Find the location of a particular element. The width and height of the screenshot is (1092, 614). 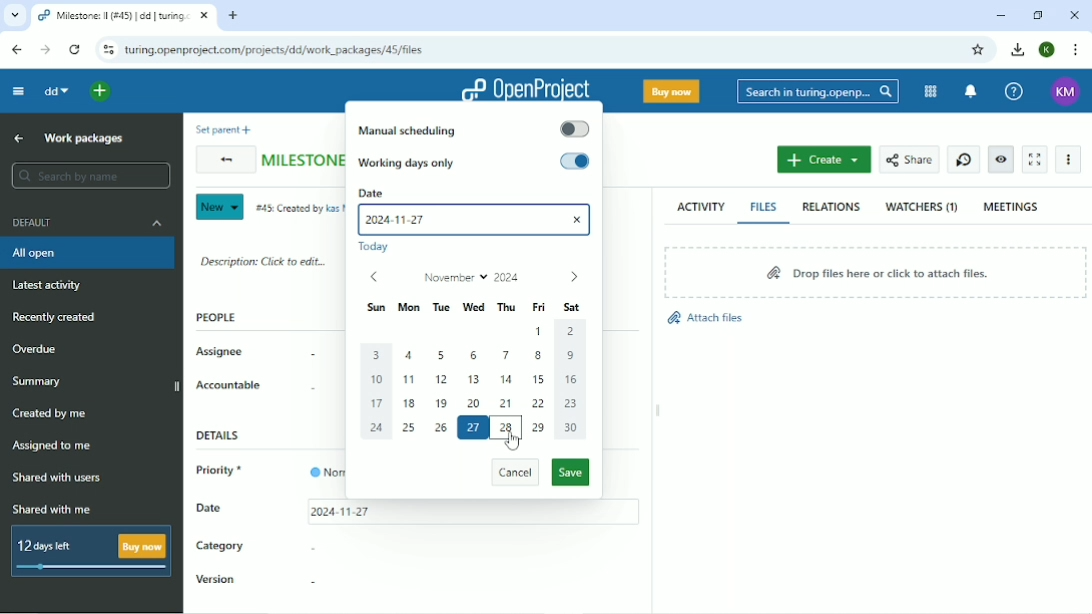

Search tabs is located at coordinates (15, 16).